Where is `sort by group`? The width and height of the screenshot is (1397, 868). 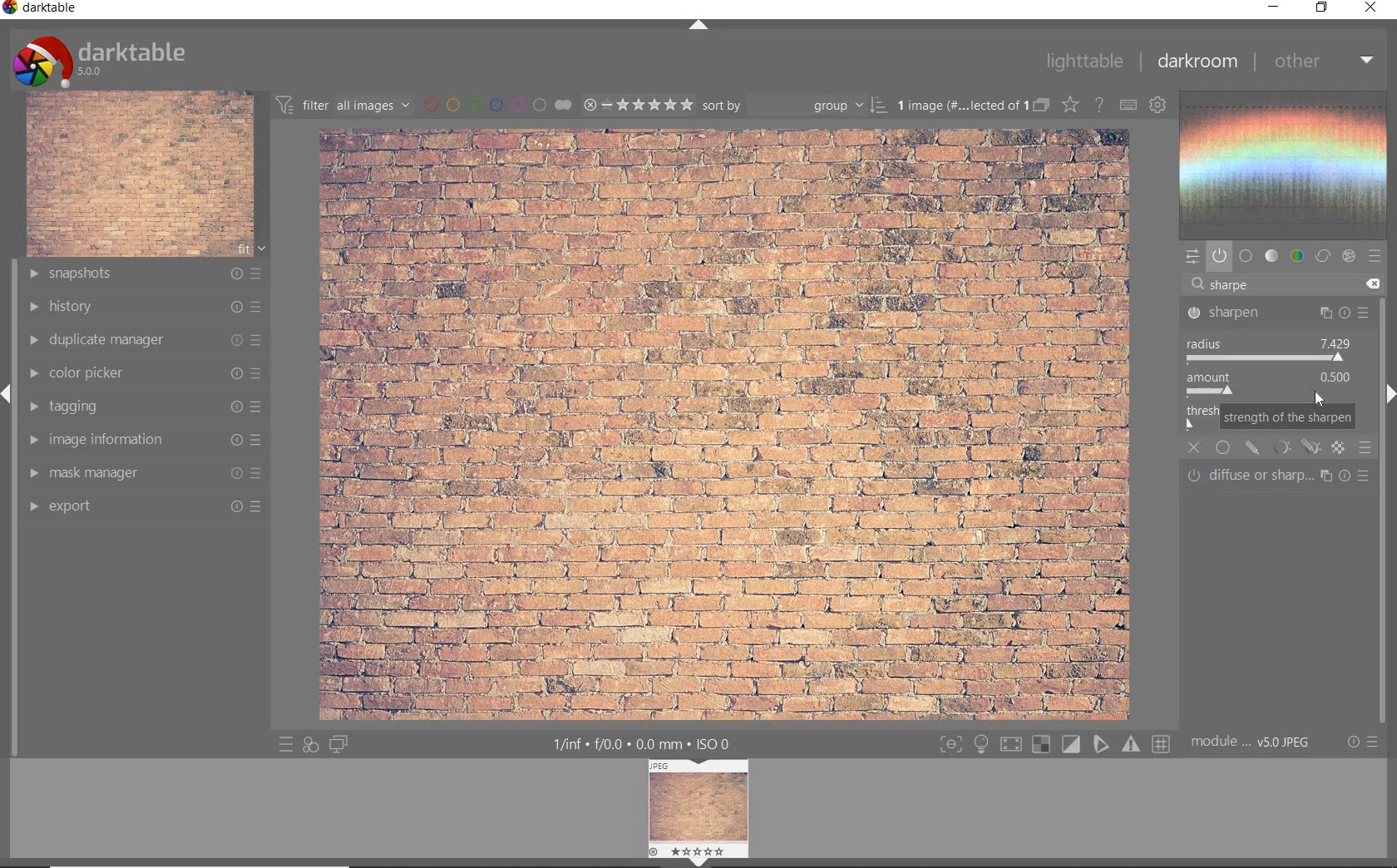 sort by group is located at coordinates (794, 106).